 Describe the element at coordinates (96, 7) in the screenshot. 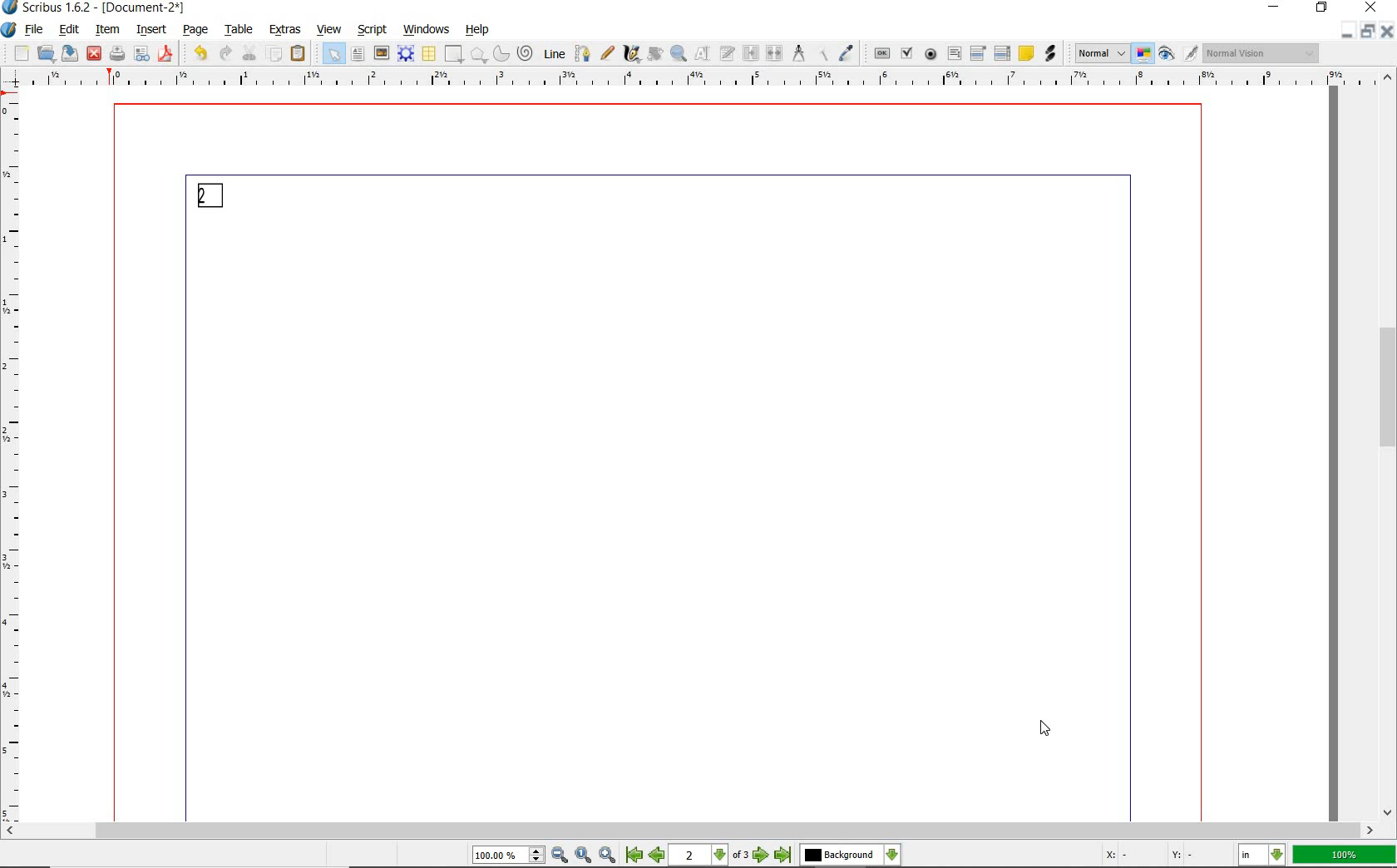

I see `Scribus 1.62 - [Document-2*]` at that location.